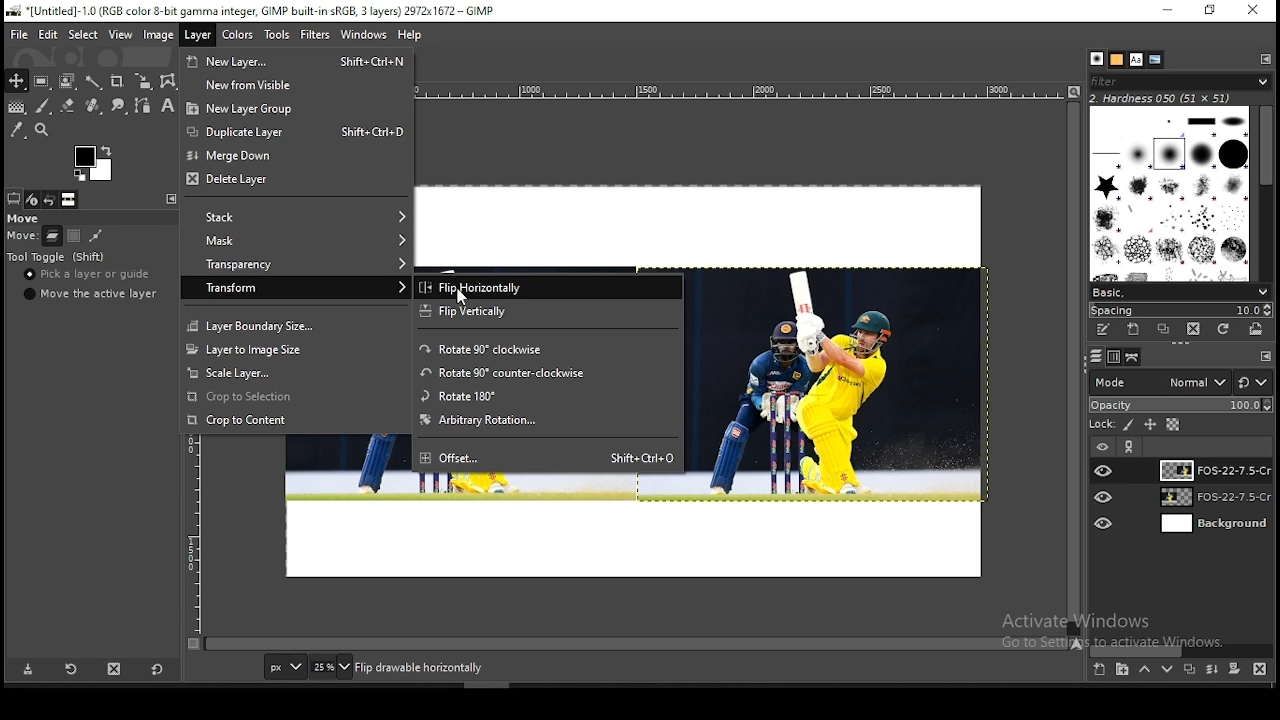 The height and width of the screenshot is (720, 1280). I want to click on images, so click(69, 200).